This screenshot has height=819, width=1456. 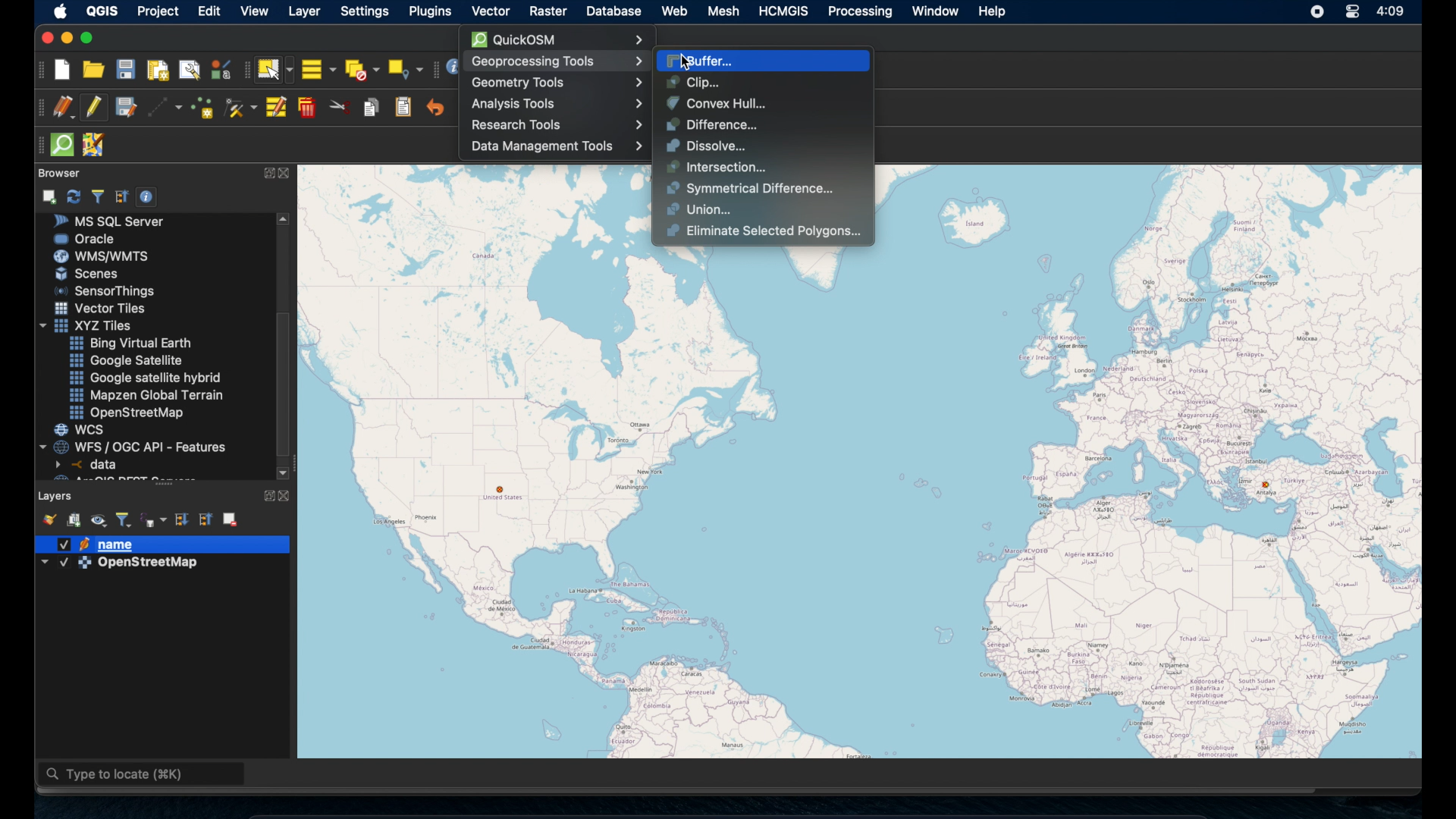 I want to click on deselect features form all layers, so click(x=363, y=69).